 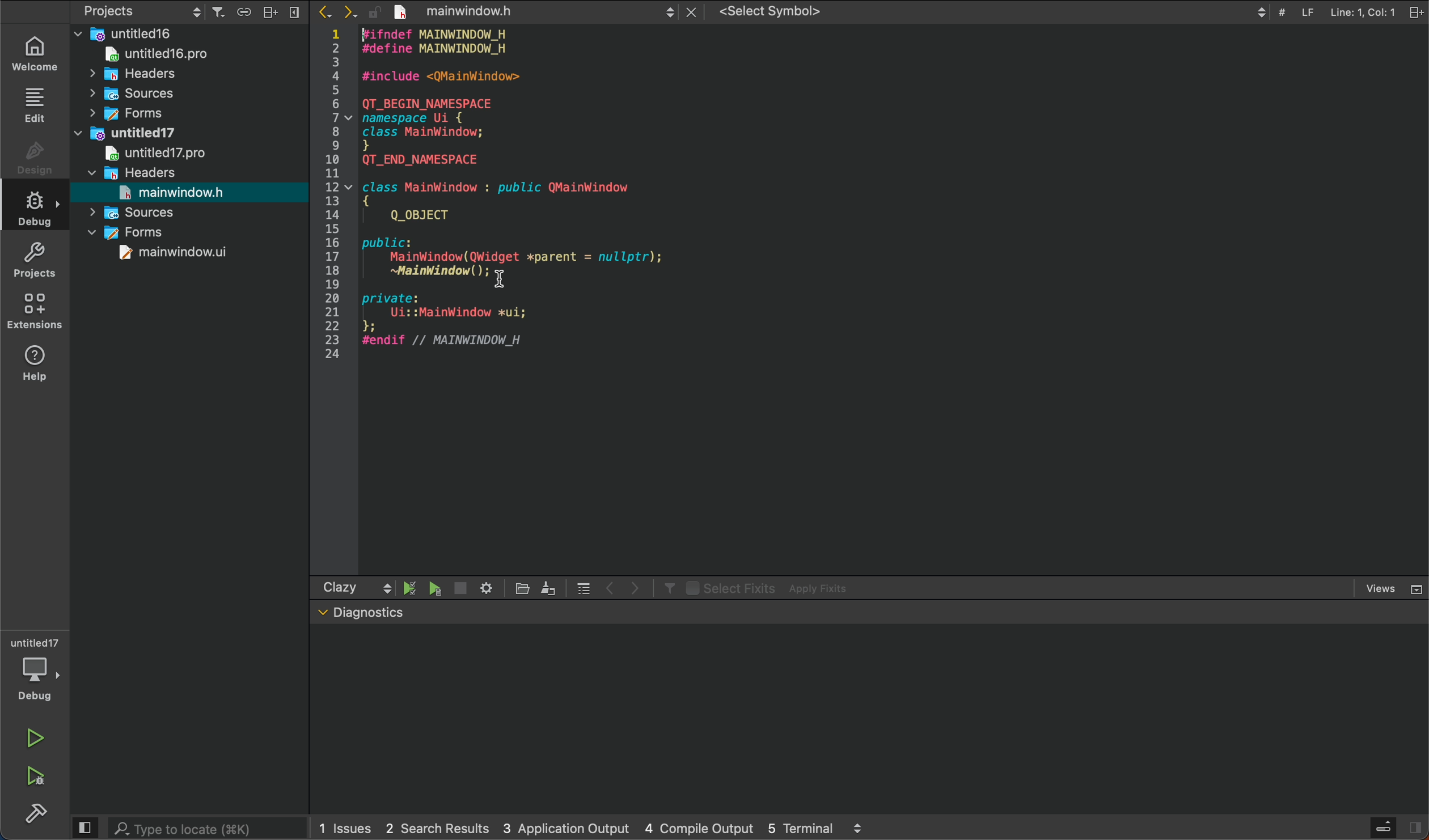 I want to click on Views, so click(x=1393, y=588).